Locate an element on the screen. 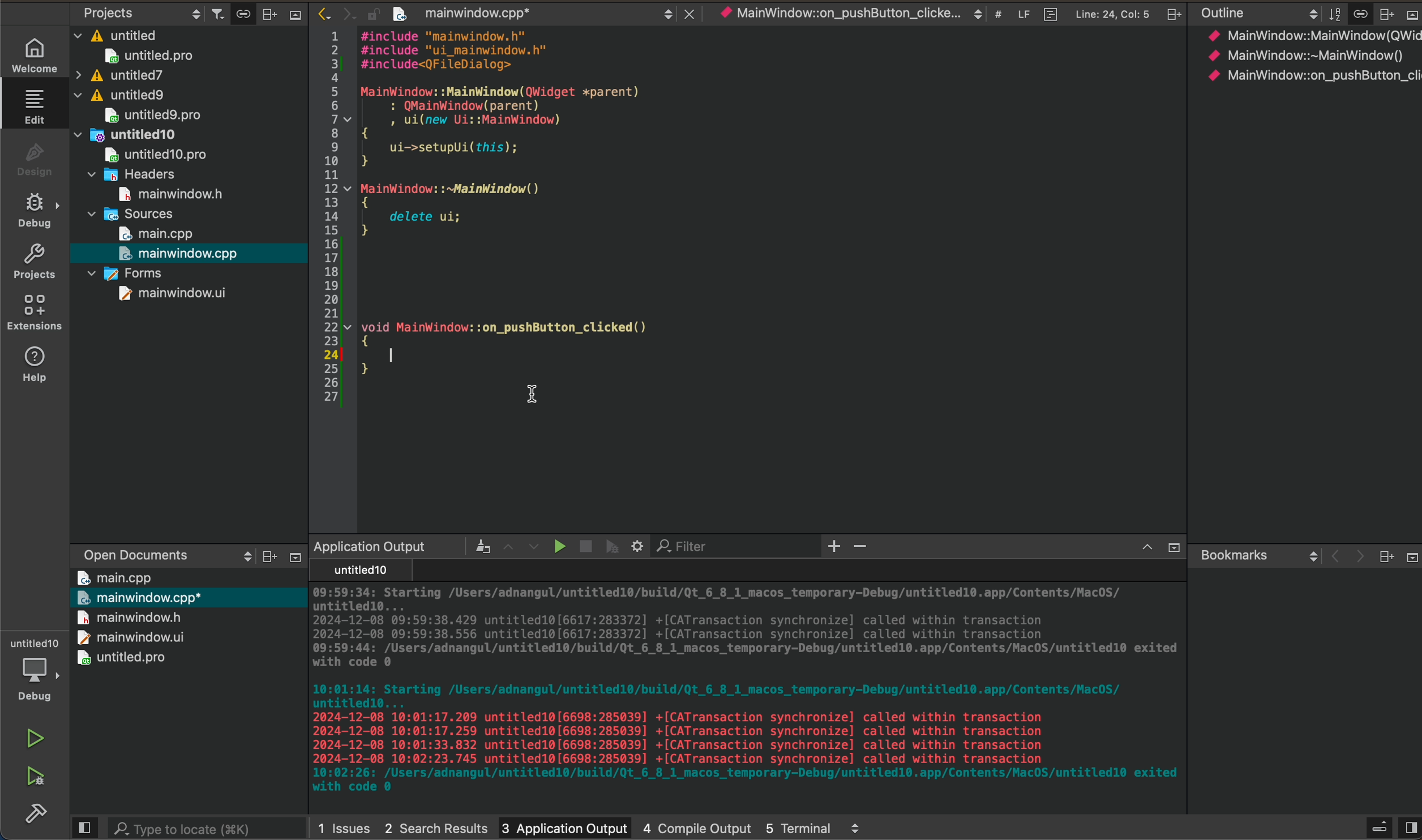  stop is located at coordinates (582, 543).